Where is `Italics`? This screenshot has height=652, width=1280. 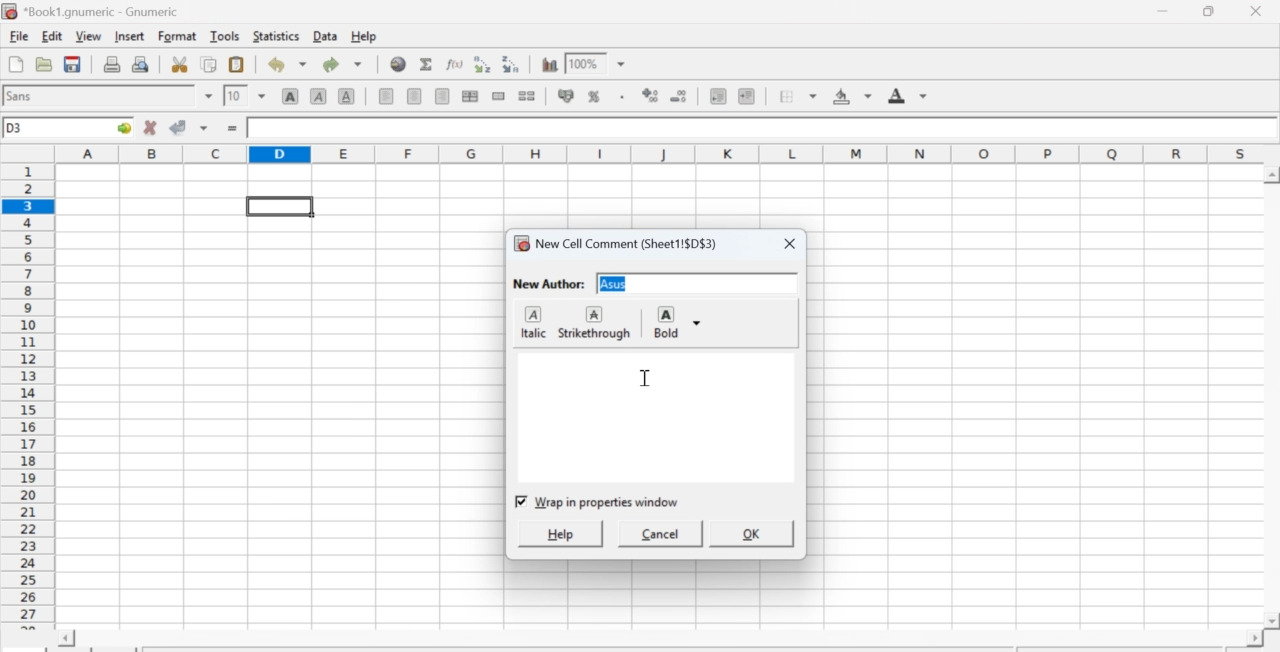
Italics is located at coordinates (318, 96).